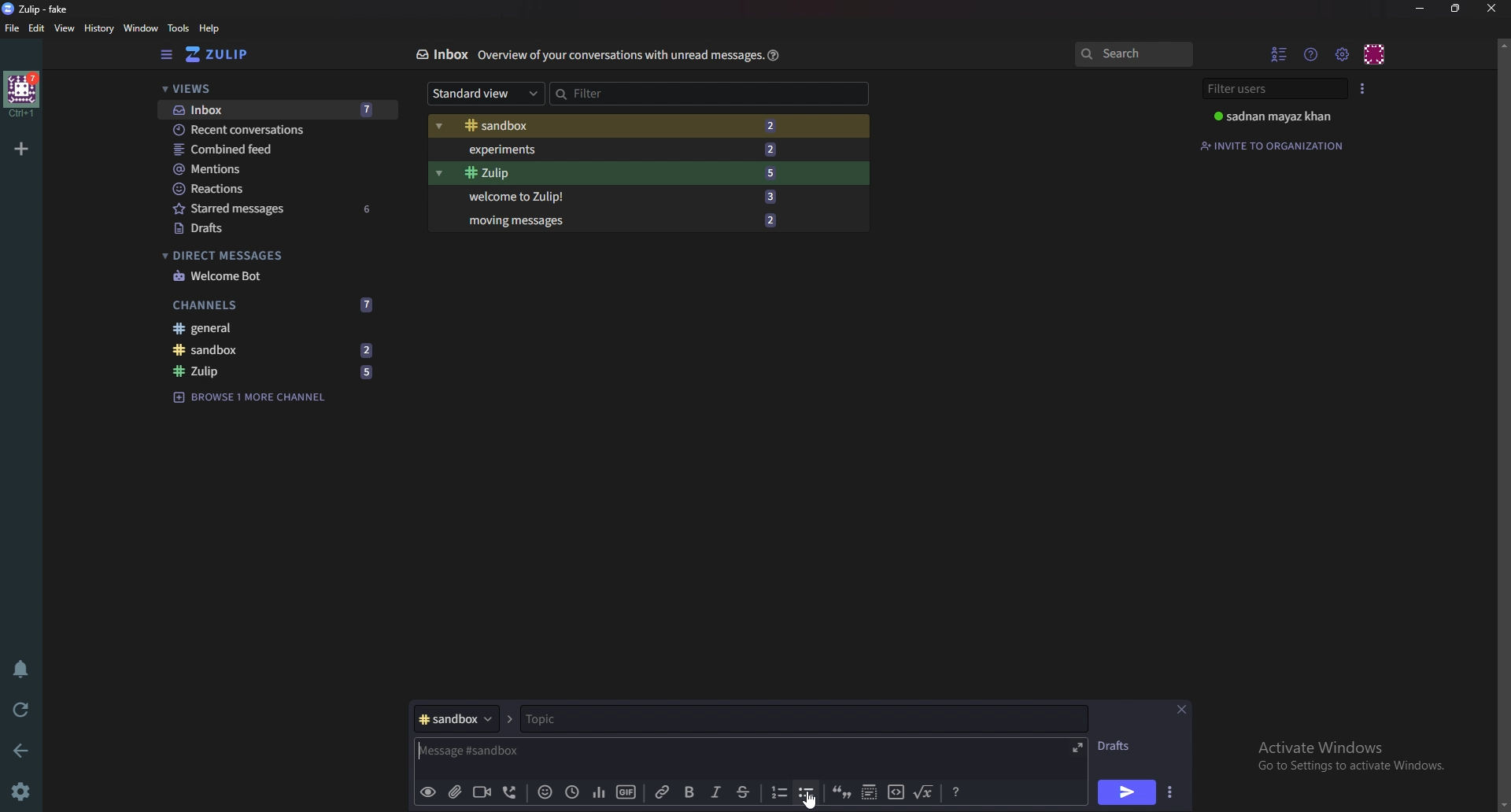 The width and height of the screenshot is (1511, 812). Describe the element at coordinates (441, 54) in the screenshot. I see `Inbox` at that location.